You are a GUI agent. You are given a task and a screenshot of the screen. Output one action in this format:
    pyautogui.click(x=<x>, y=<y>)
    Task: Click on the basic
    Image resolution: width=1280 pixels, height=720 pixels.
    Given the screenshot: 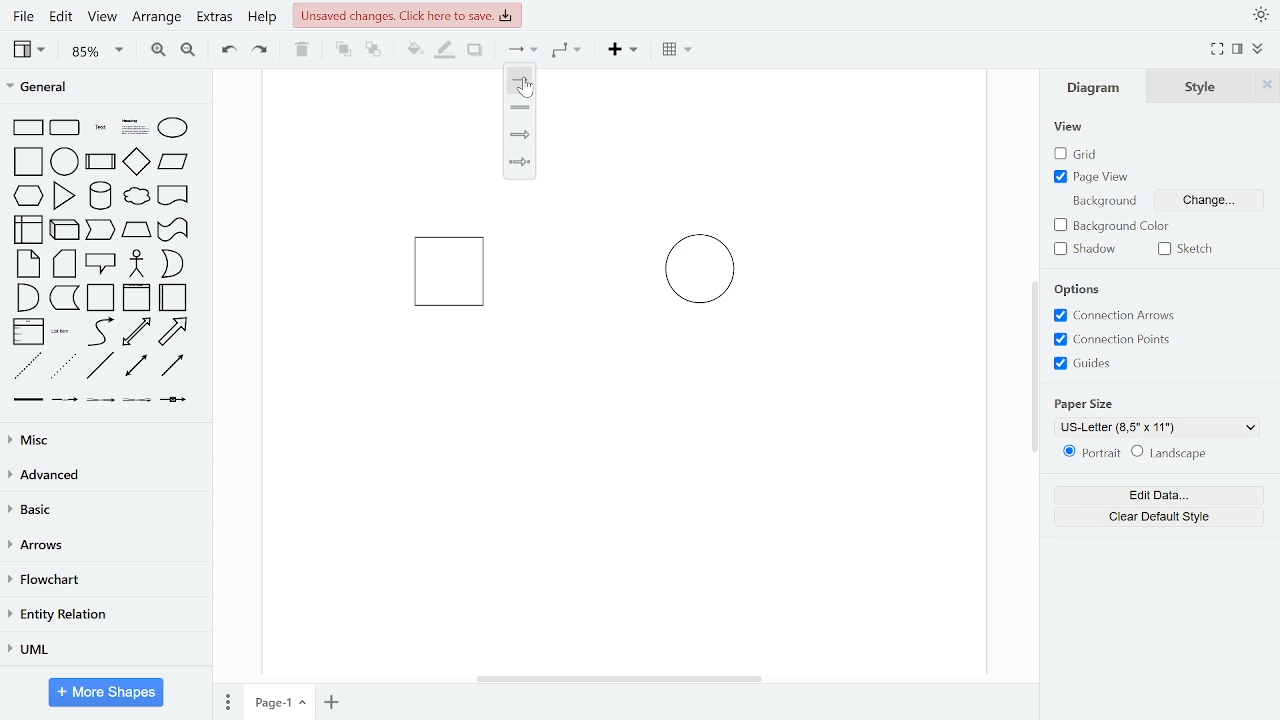 What is the action you would take?
    pyautogui.click(x=104, y=509)
    